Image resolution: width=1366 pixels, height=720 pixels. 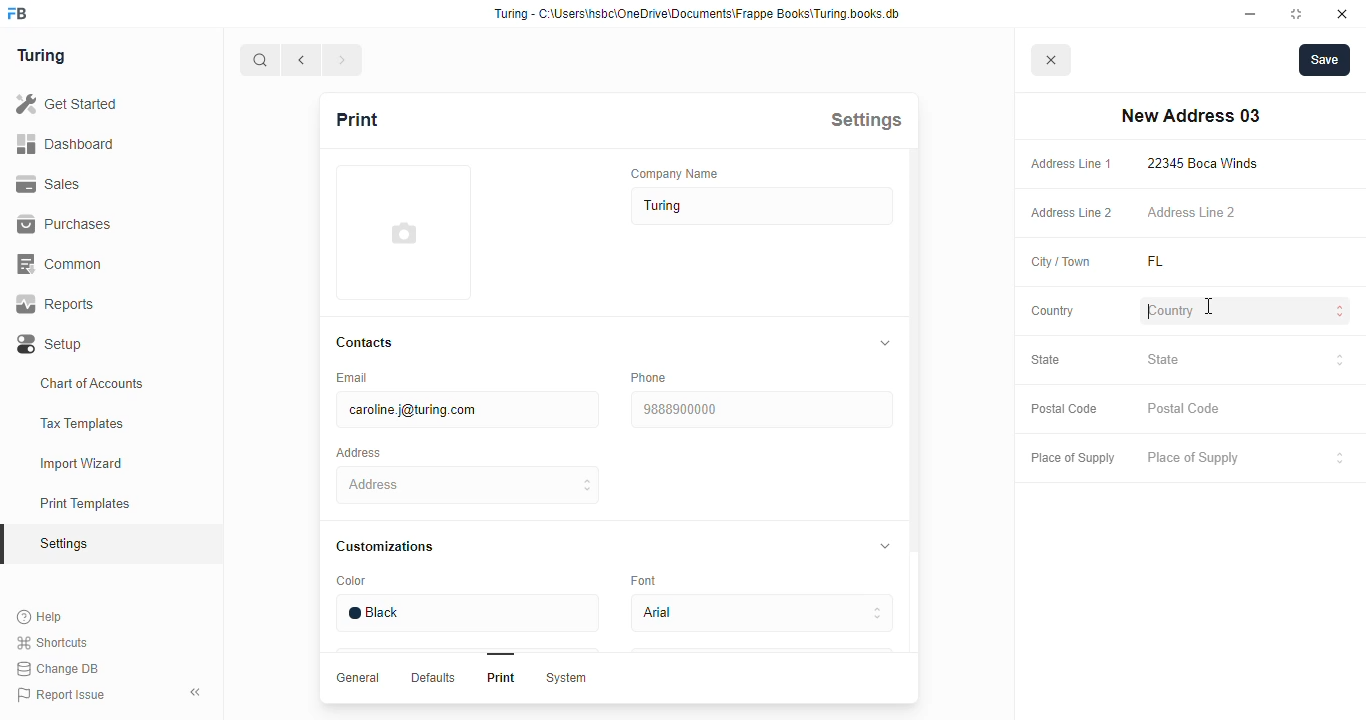 I want to click on image input field, so click(x=401, y=232).